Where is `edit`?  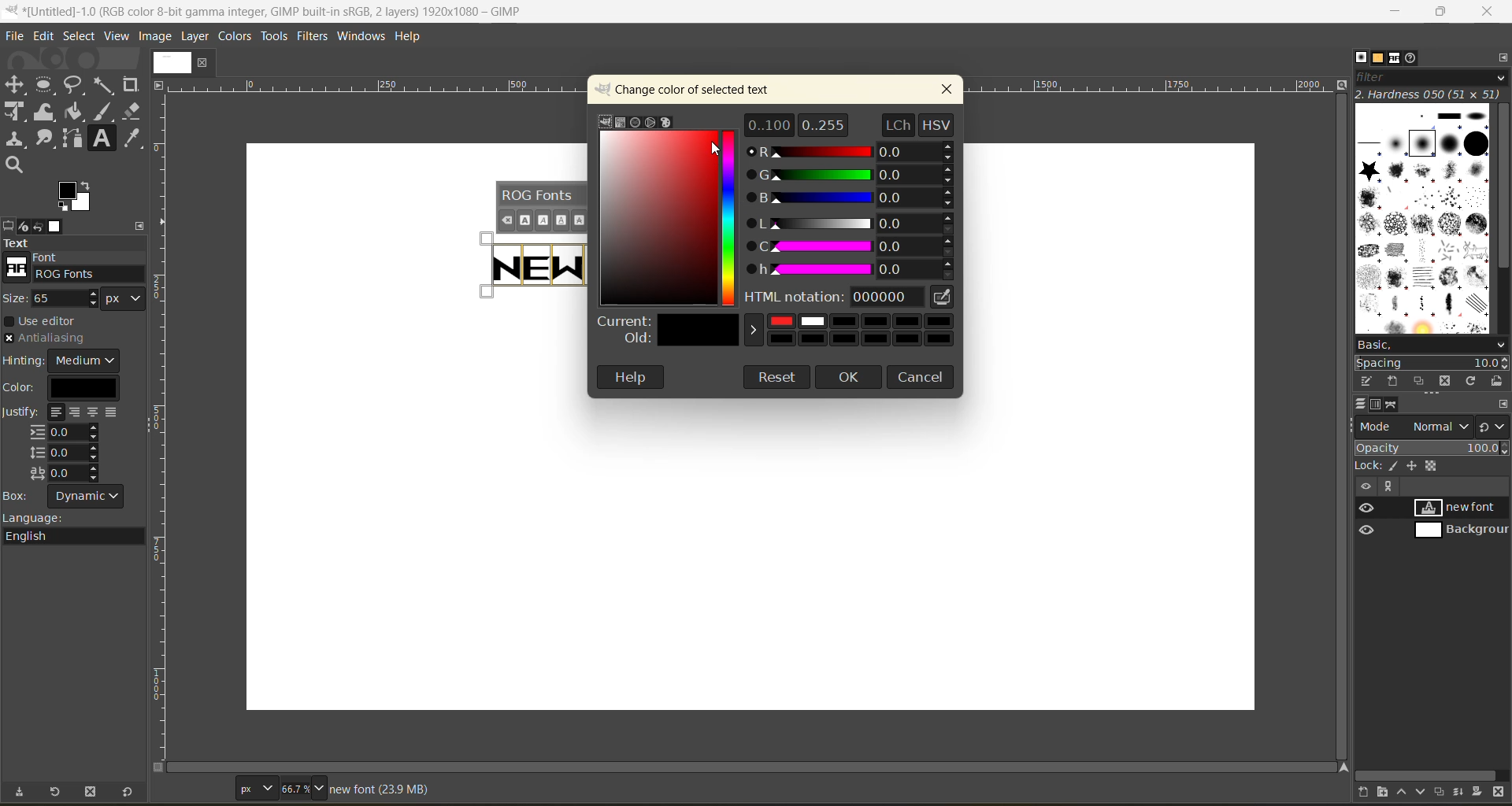
edit is located at coordinates (41, 35).